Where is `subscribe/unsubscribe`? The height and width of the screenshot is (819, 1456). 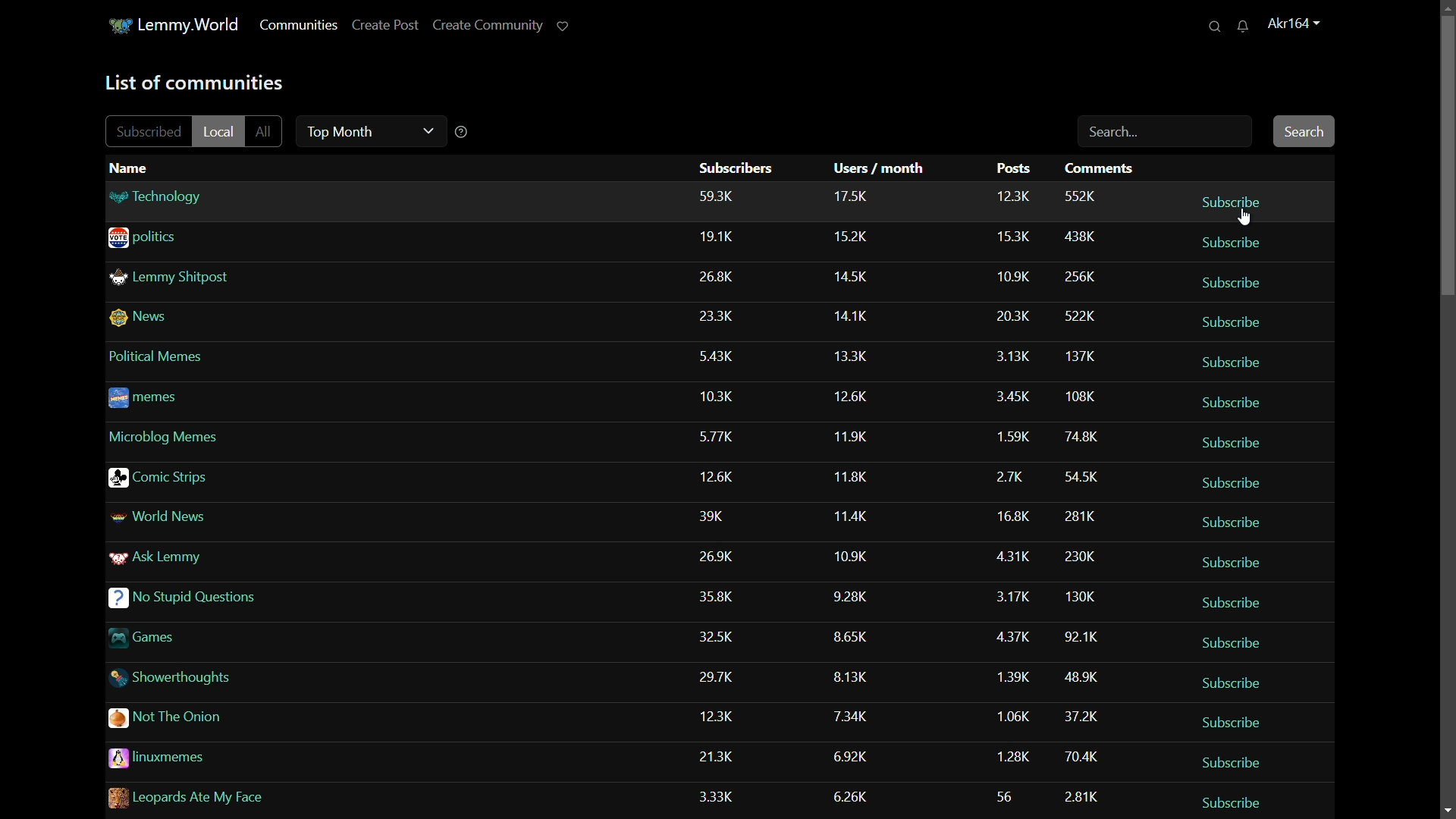
subscribe/unsubscribe is located at coordinates (1241, 563).